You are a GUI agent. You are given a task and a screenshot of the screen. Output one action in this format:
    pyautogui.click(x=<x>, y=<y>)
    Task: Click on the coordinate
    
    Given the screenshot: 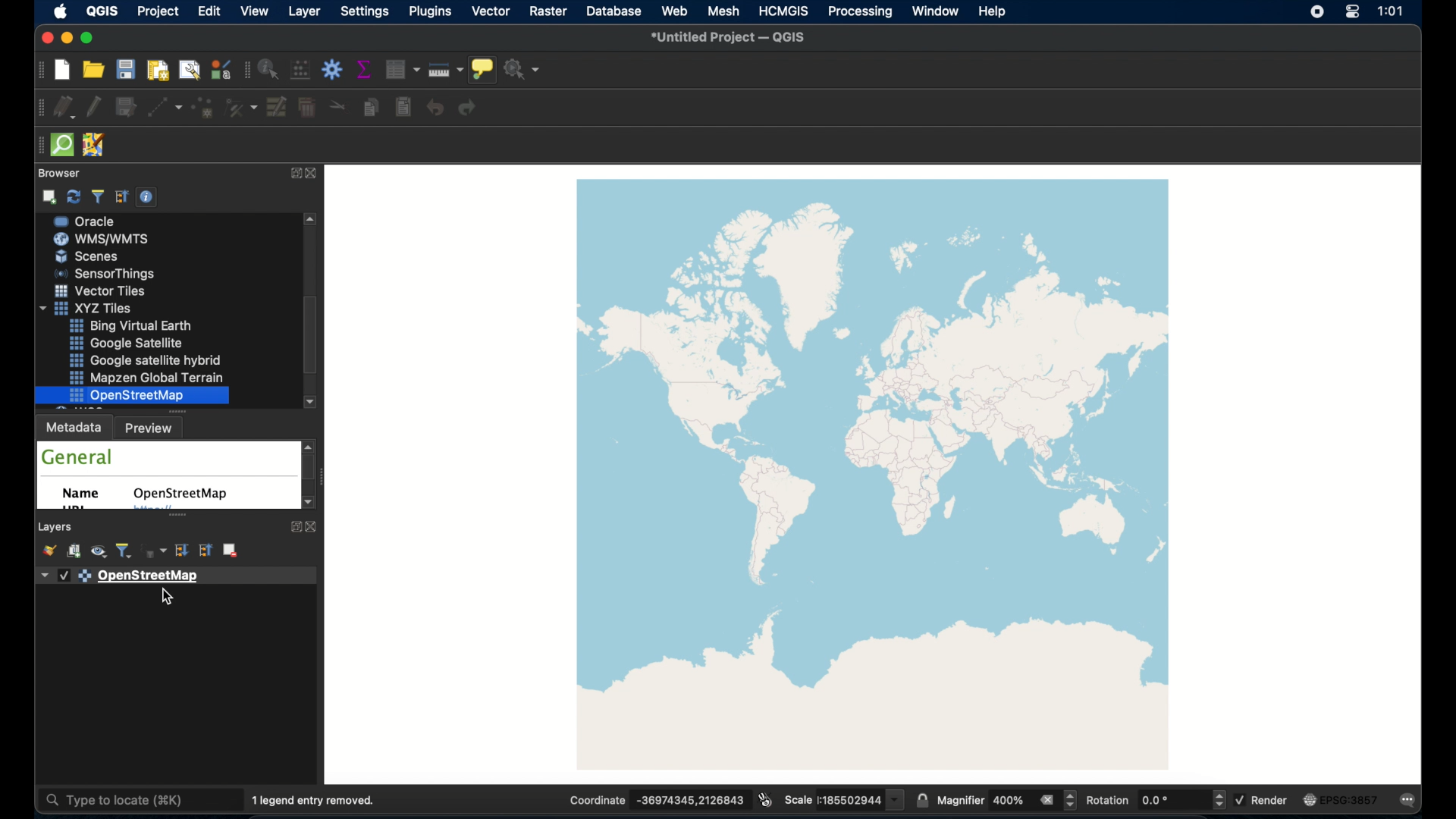 What is the action you would take?
    pyautogui.click(x=656, y=800)
    